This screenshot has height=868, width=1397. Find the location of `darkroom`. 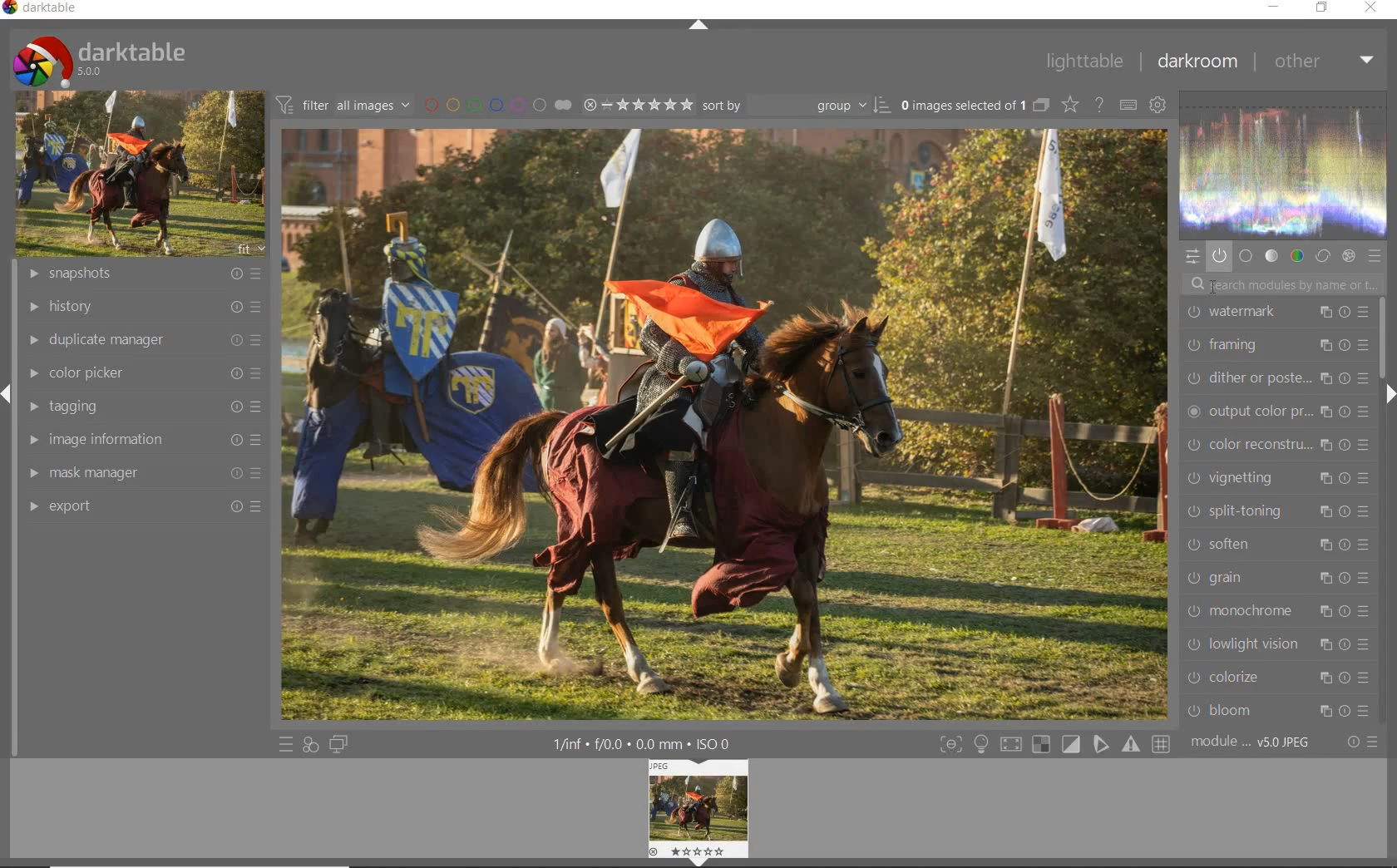

darkroom is located at coordinates (1196, 64).